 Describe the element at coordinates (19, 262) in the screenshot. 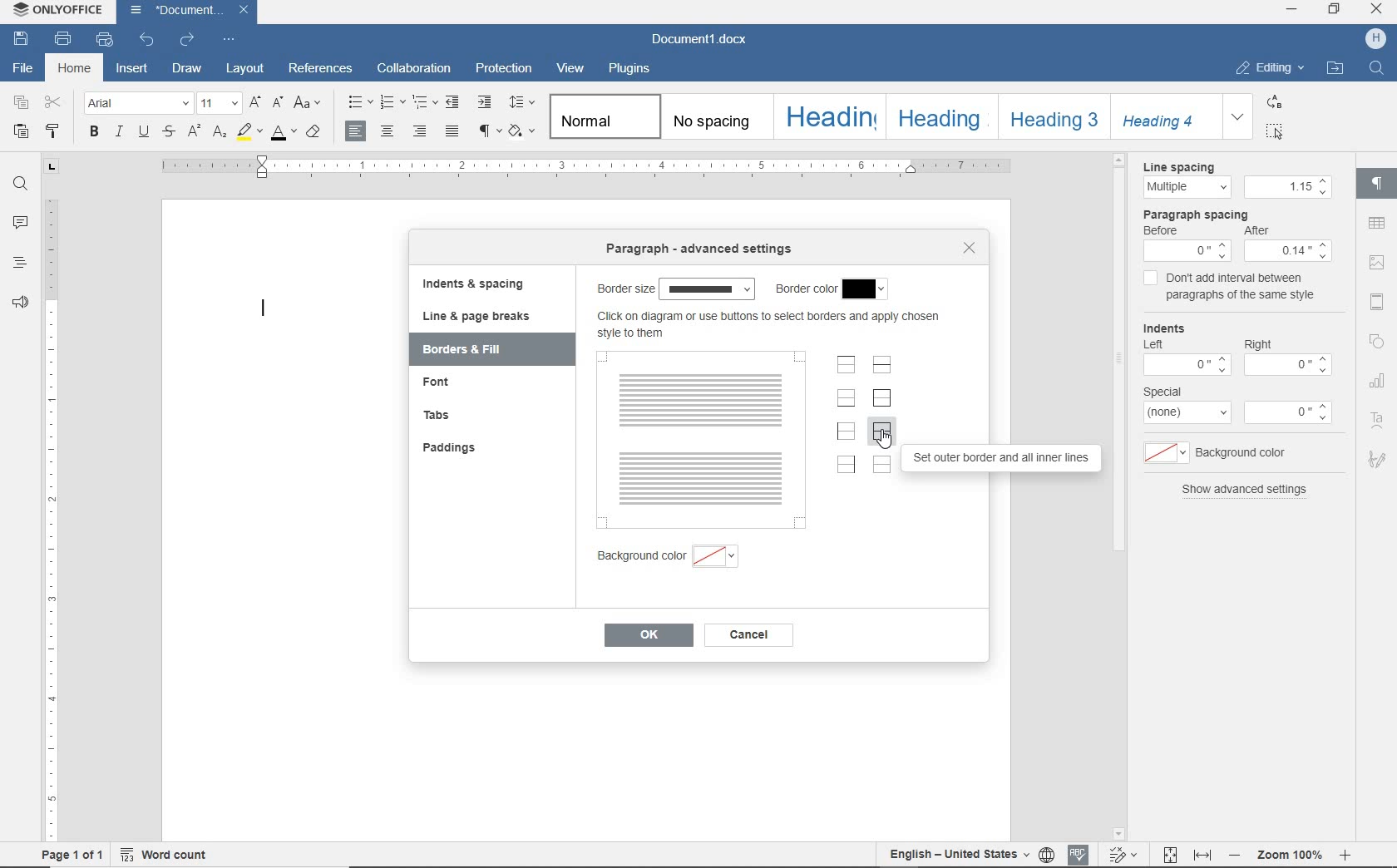

I see `headings` at that location.